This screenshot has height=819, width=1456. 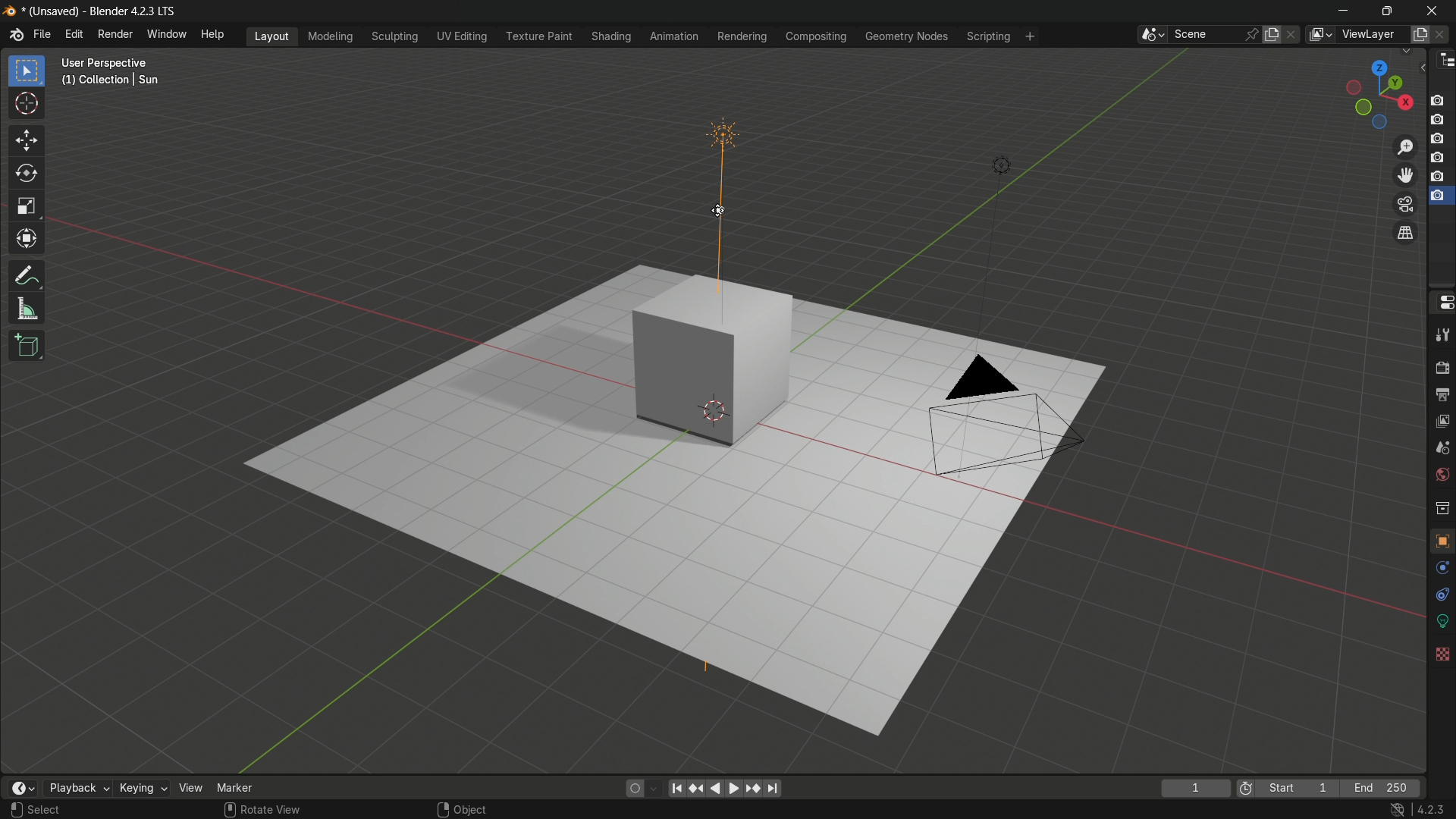 What do you see at coordinates (74, 33) in the screenshot?
I see `edit menu` at bounding box center [74, 33].